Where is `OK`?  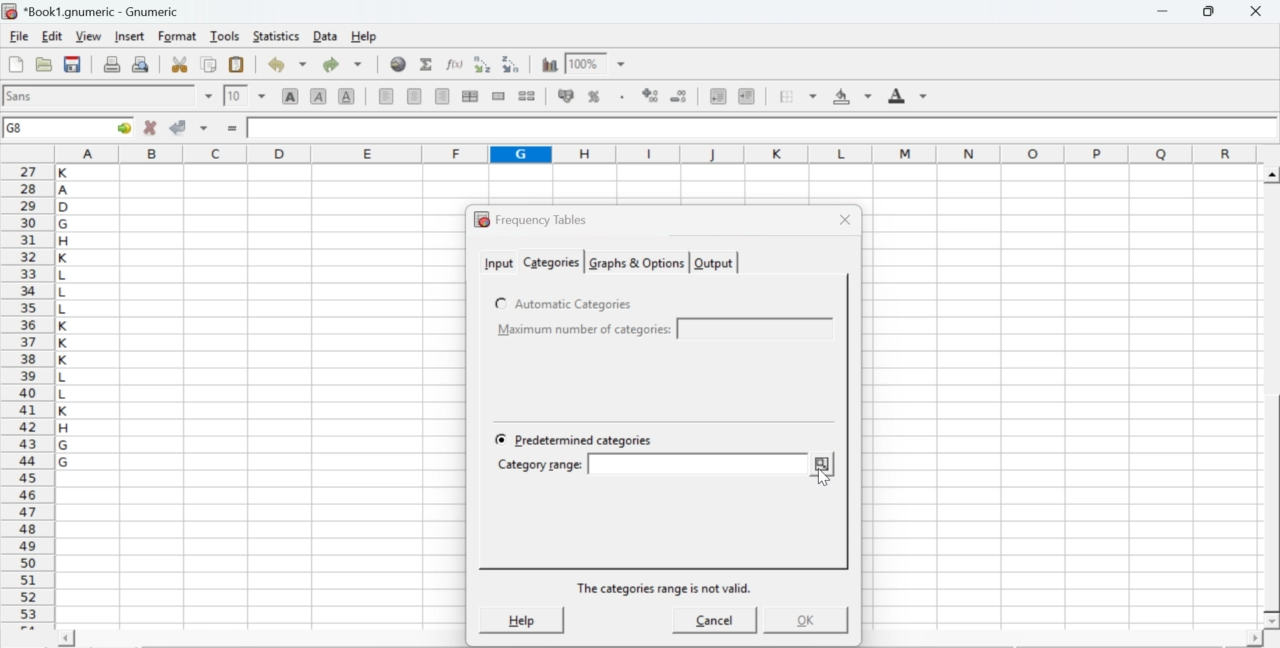
OK is located at coordinates (797, 619).